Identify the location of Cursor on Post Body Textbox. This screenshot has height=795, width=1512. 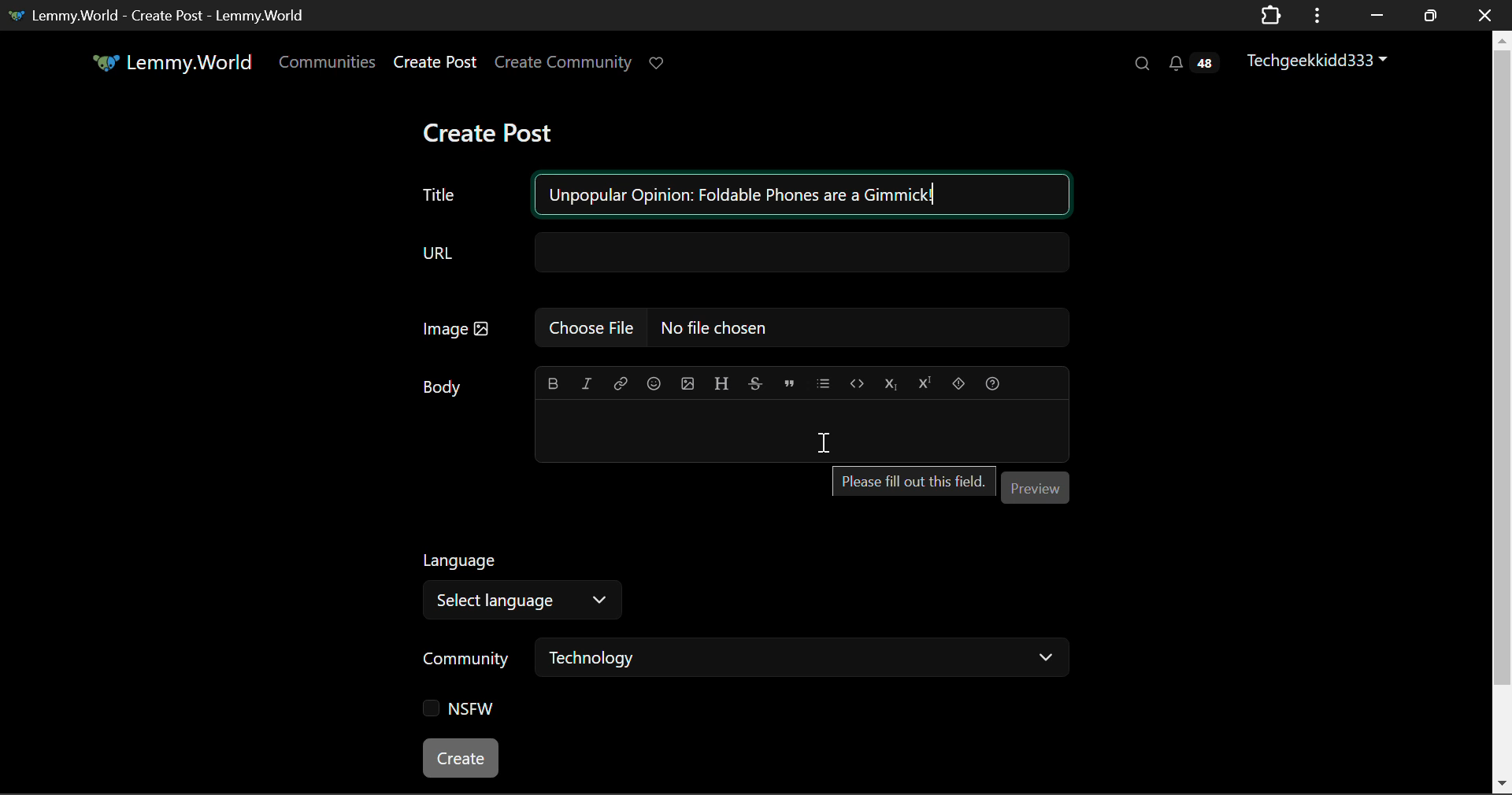
(824, 443).